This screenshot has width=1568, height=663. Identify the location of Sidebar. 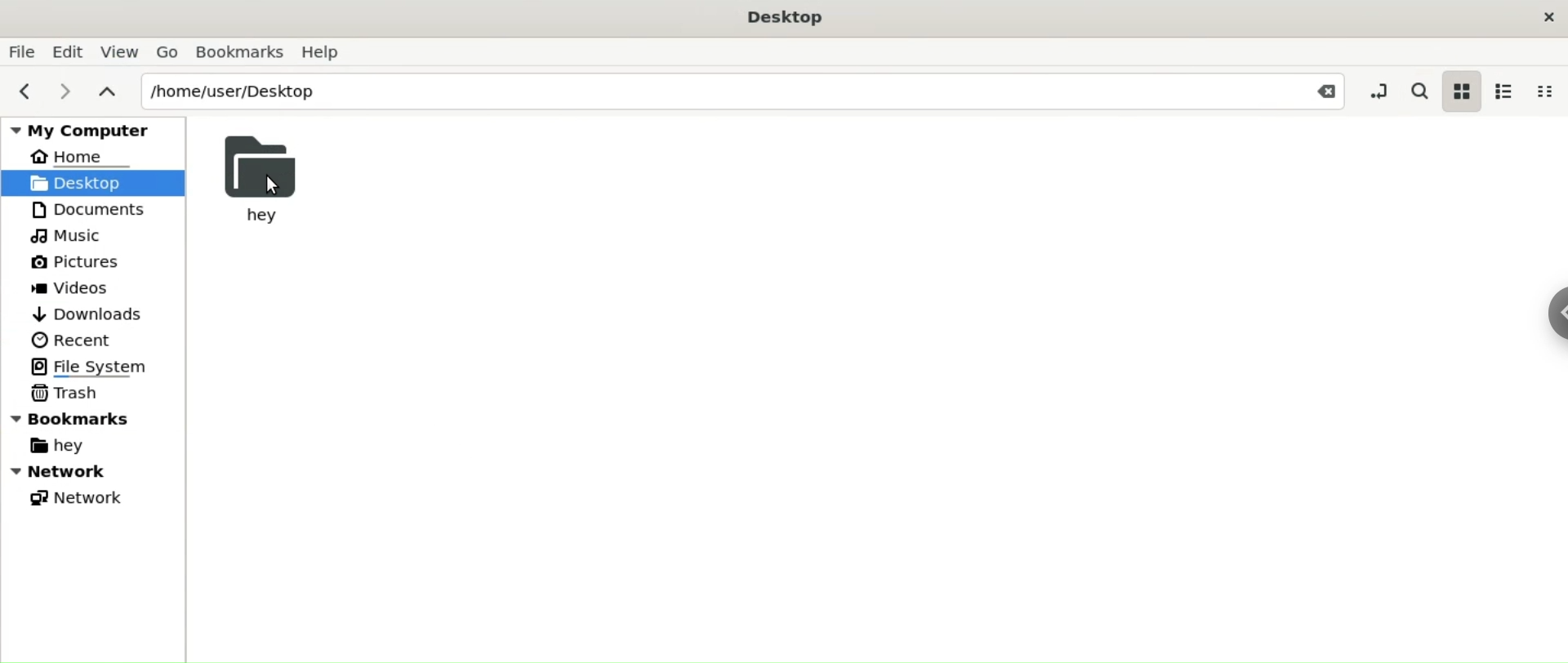
(1550, 315).